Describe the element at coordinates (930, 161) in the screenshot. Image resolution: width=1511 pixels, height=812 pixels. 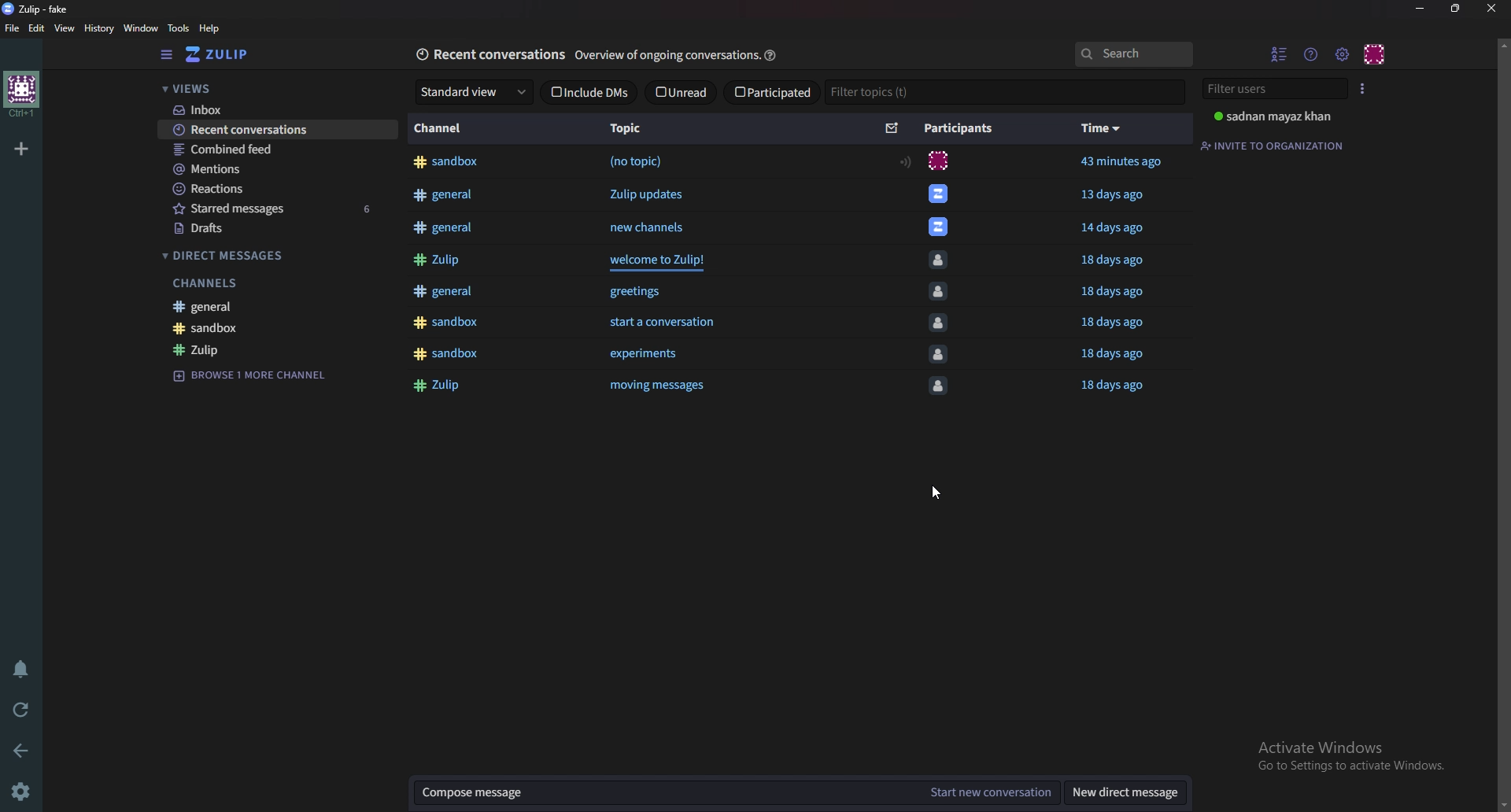
I see `icon` at that location.